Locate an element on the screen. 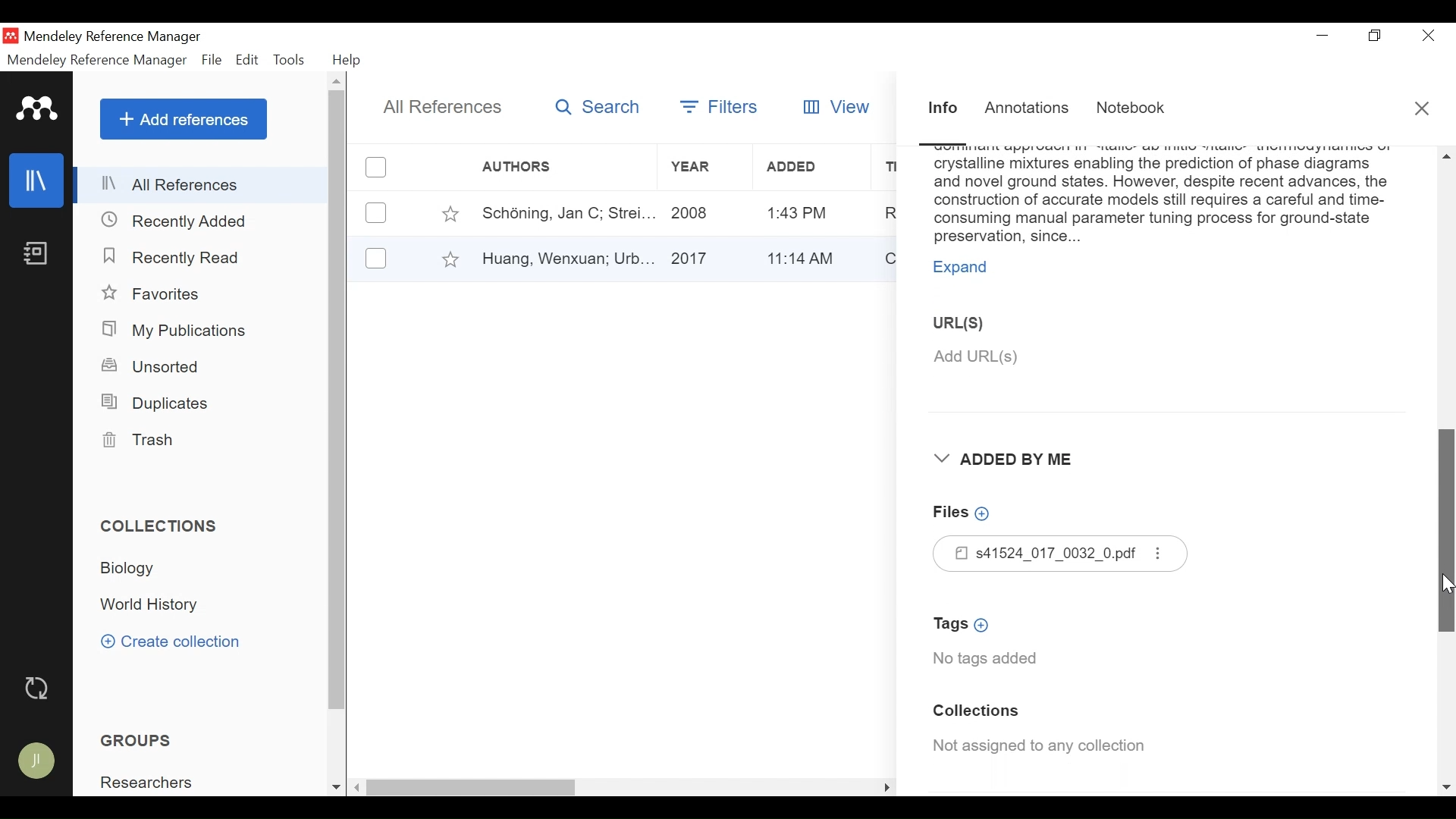  Help is located at coordinates (348, 61).